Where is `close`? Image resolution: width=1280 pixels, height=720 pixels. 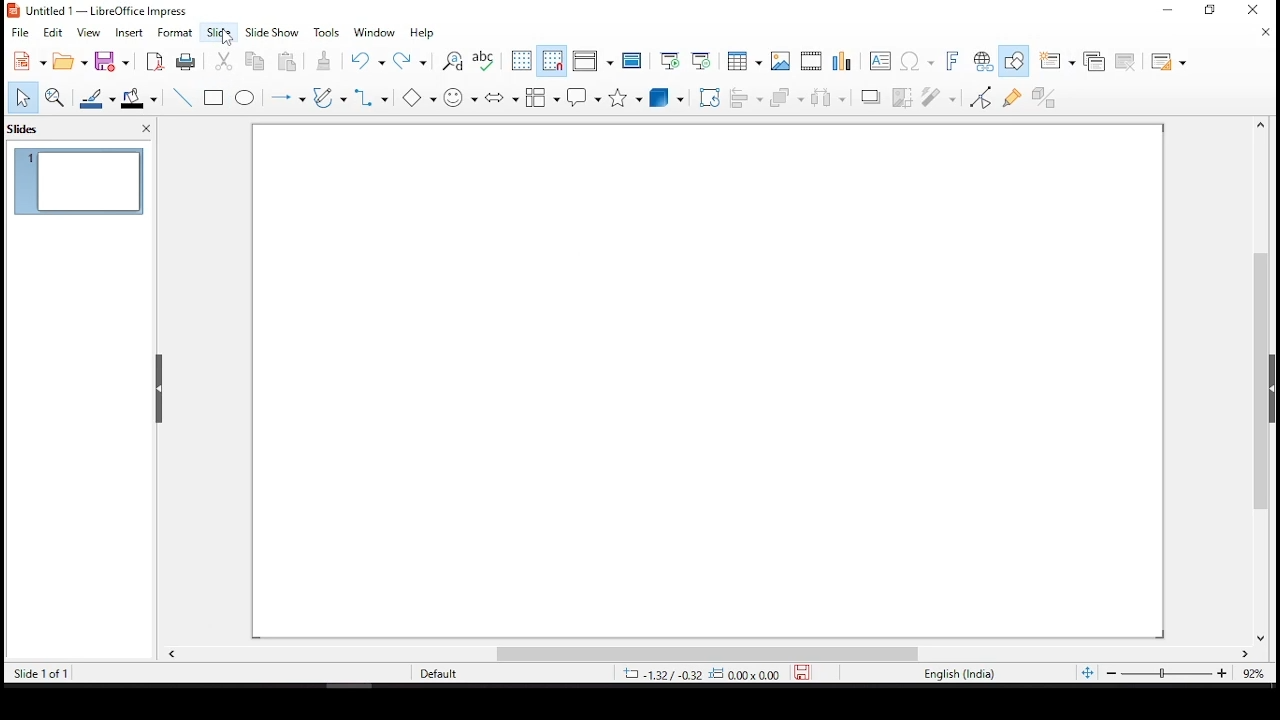 close is located at coordinates (1263, 31).